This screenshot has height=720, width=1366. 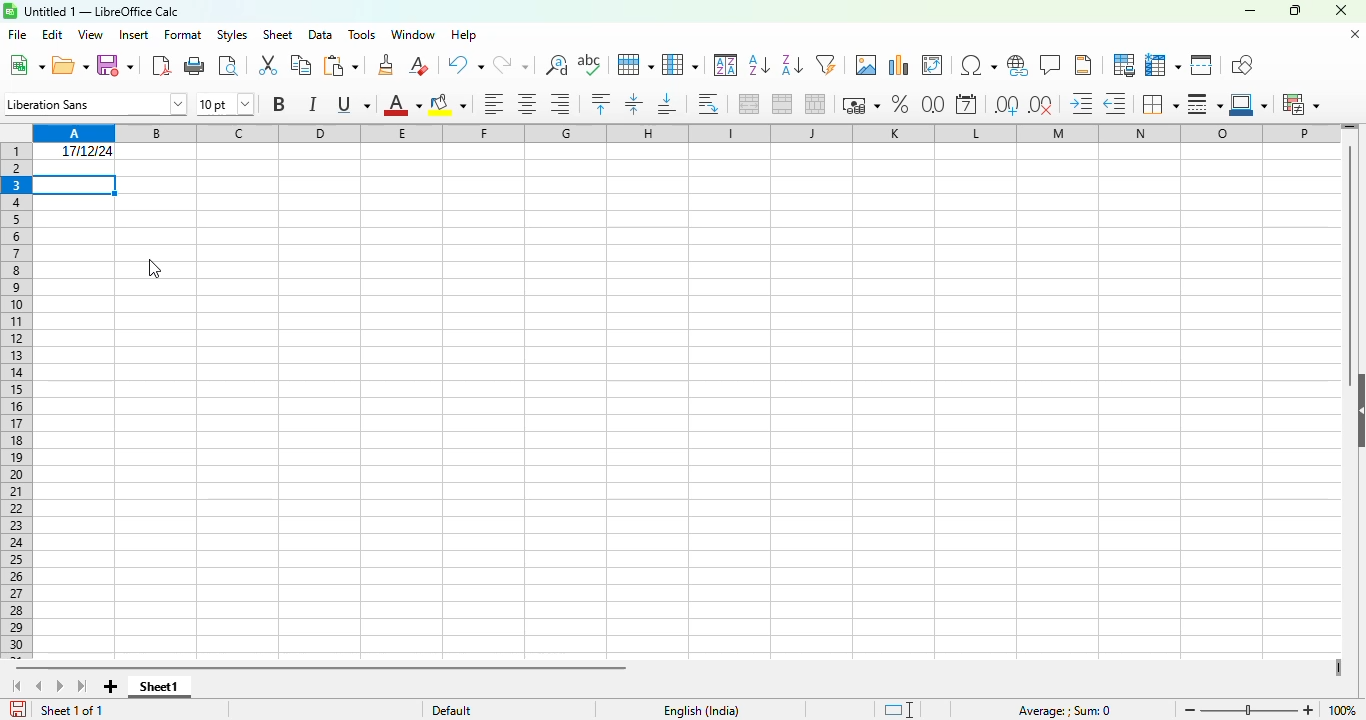 I want to click on cut, so click(x=269, y=65).